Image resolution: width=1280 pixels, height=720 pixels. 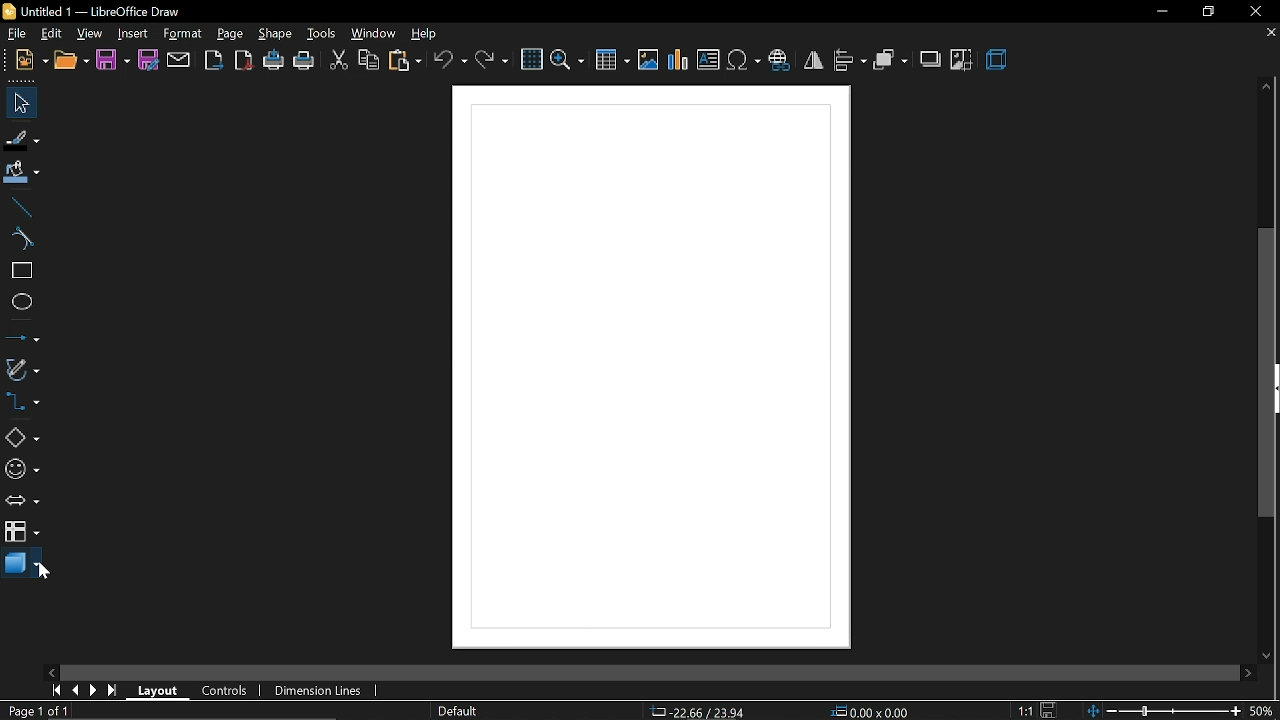 I want to click on arrows, so click(x=23, y=502).